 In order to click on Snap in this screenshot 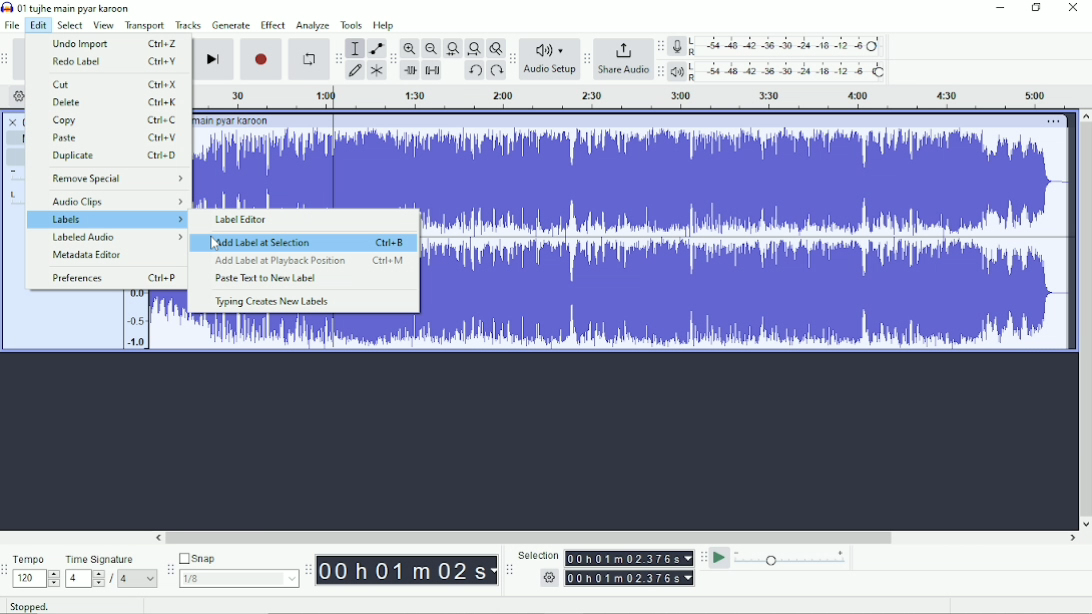, I will do `click(238, 569)`.